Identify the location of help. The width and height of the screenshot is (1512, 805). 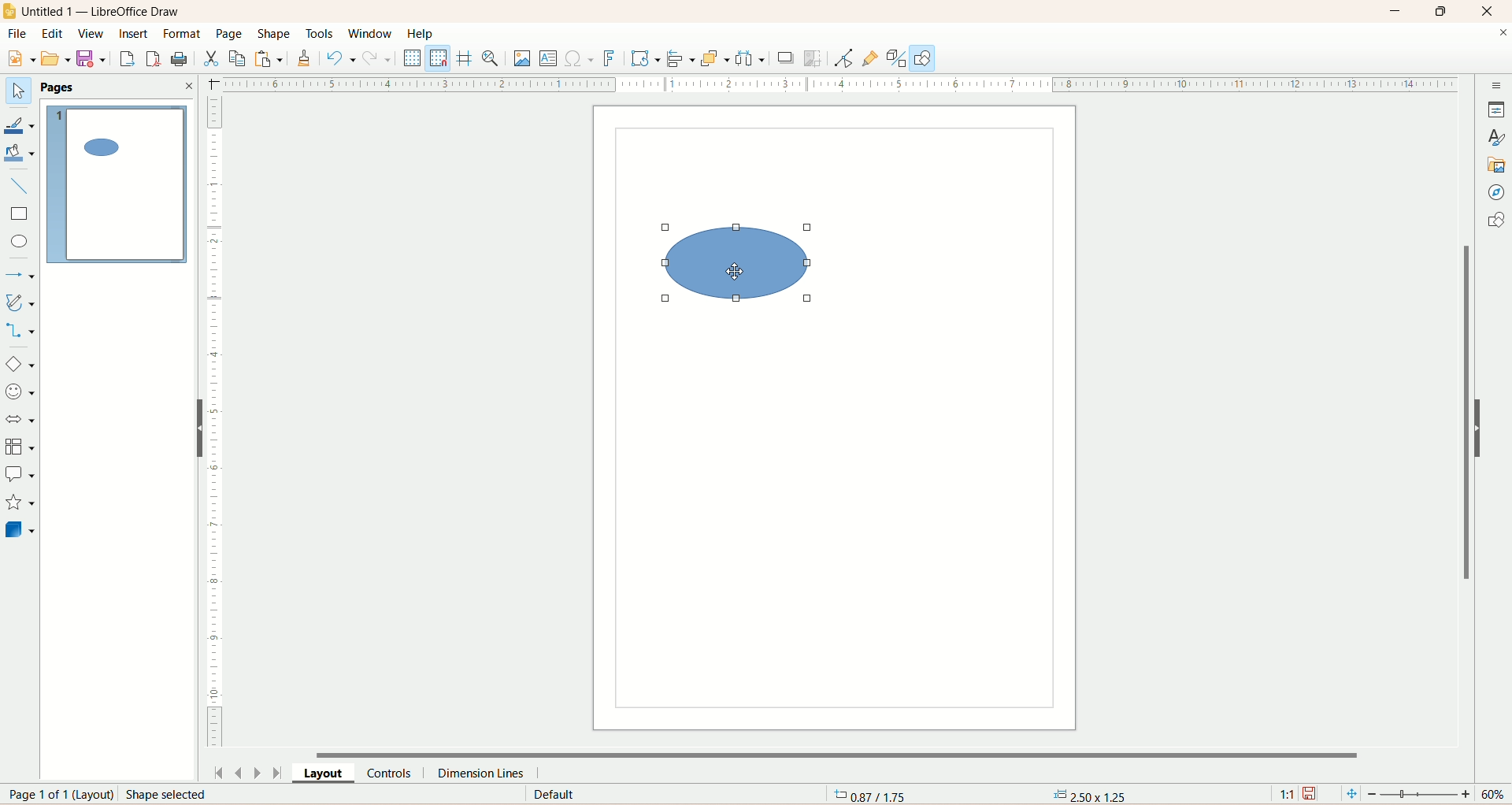
(424, 35).